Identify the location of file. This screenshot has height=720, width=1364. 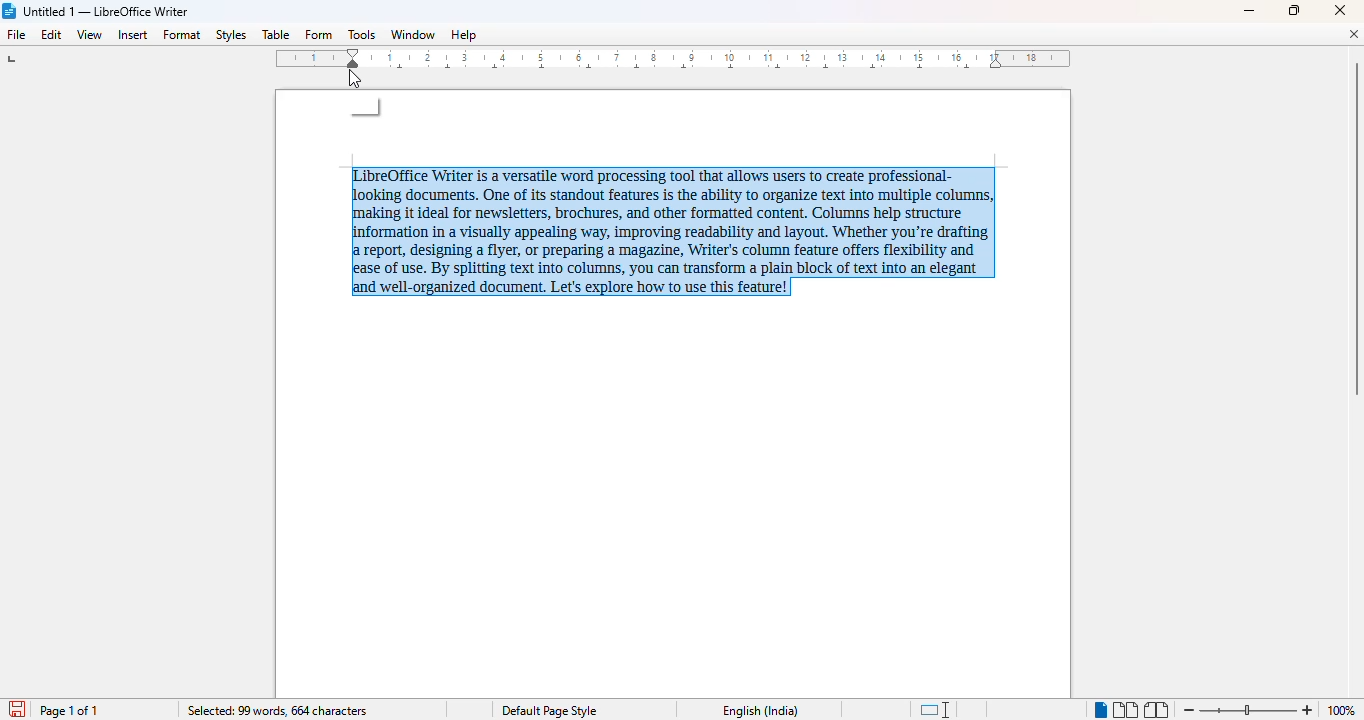
(15, 34).